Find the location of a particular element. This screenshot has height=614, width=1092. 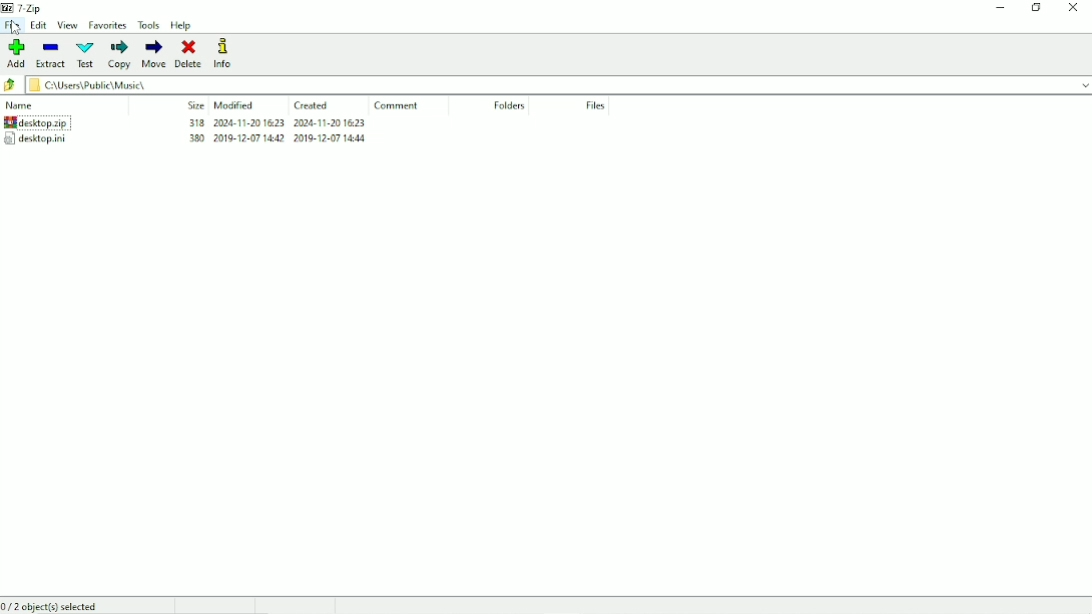

CAUsers\Public\ Music is located at coordinates (121, 85).